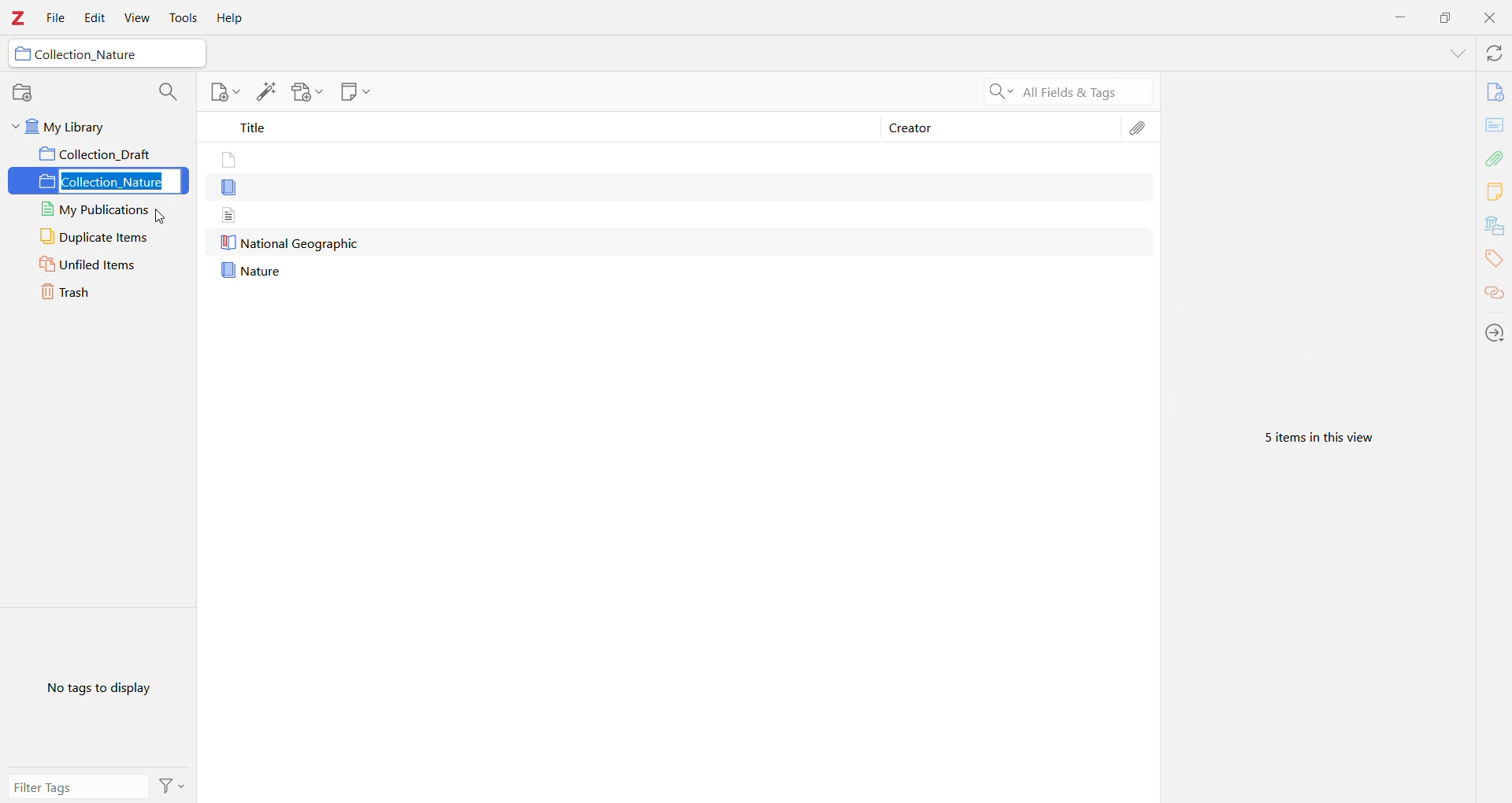  I want to click on Expand Section, so click(1457, 54).